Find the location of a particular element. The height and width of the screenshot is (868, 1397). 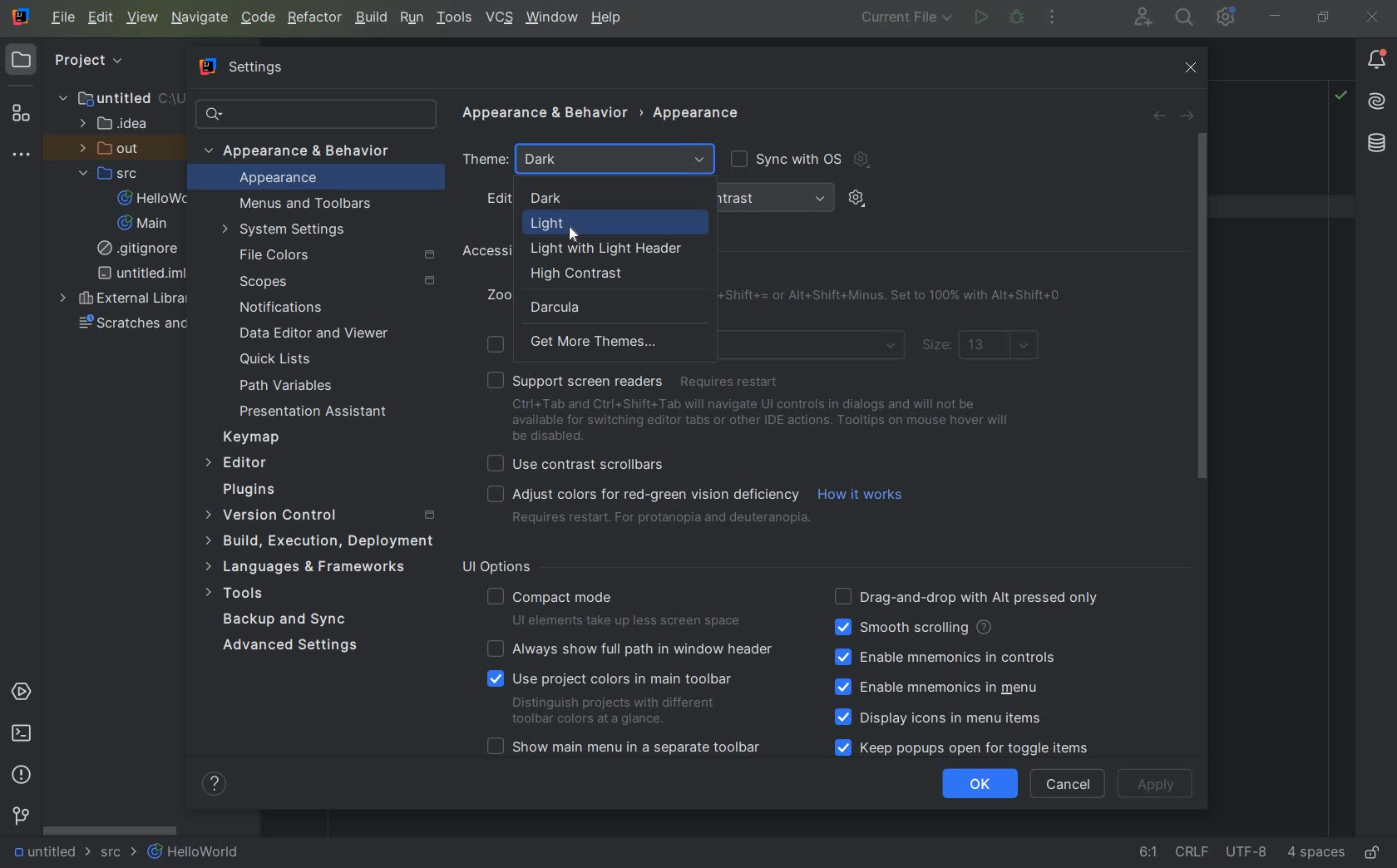

no problem highlighted is located at coordinates (1340, 94).